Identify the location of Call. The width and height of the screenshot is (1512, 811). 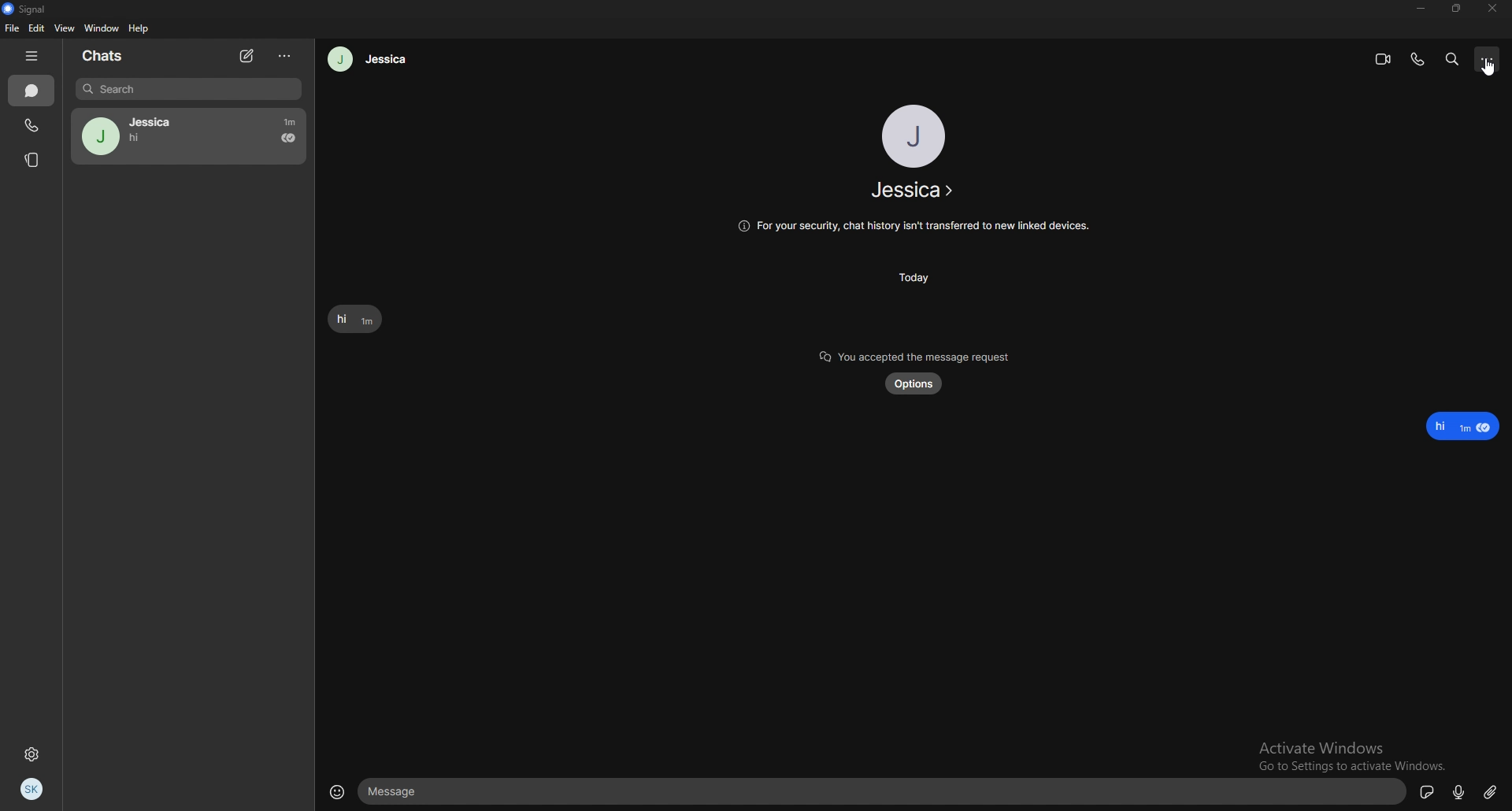
(31, 125).